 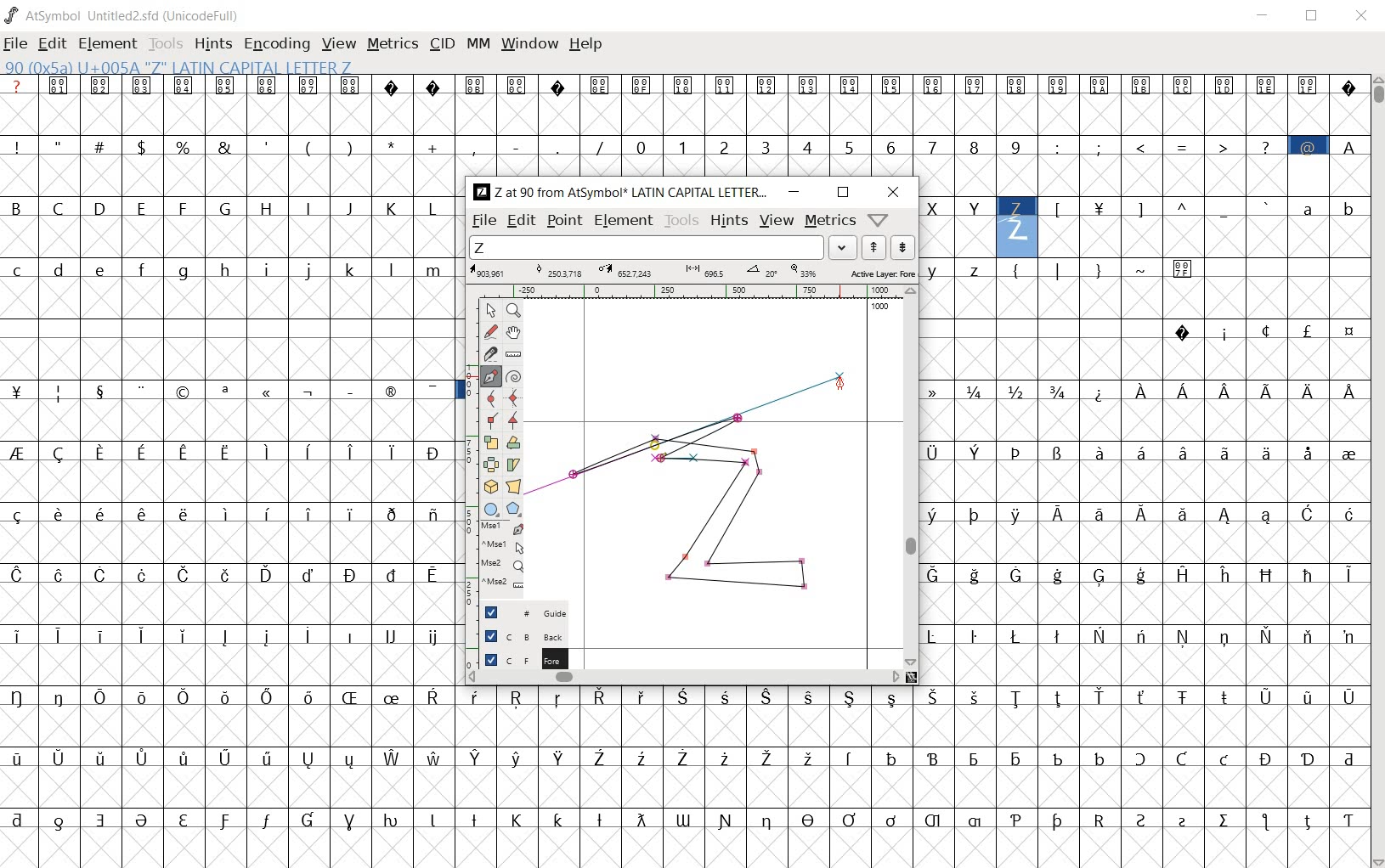 What do you see at coordinates (843, 192) in the screenshot?
I see `restore down` at bounding box center [843, 192].